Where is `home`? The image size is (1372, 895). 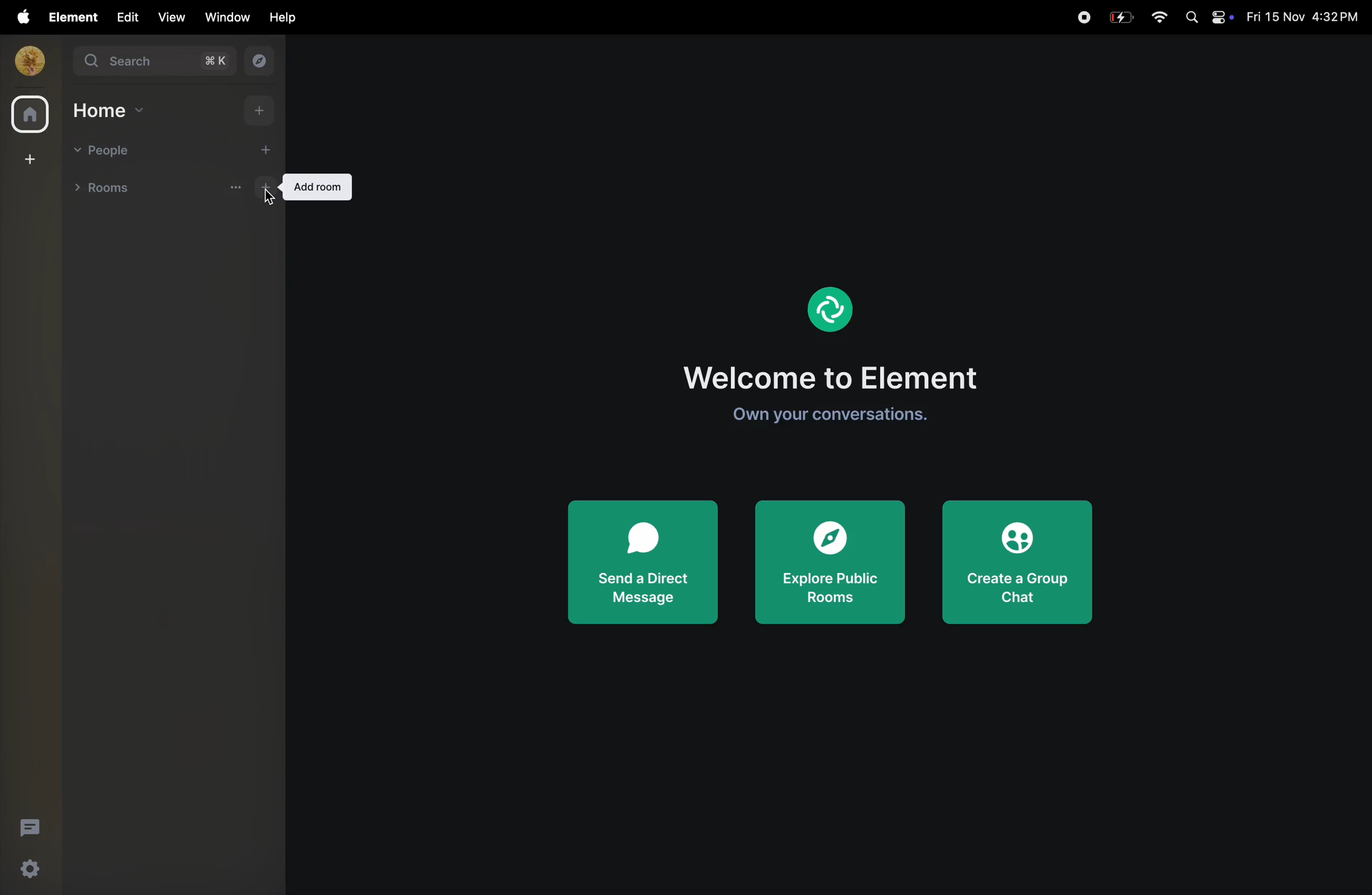
home is located at coordinates (27, 114).